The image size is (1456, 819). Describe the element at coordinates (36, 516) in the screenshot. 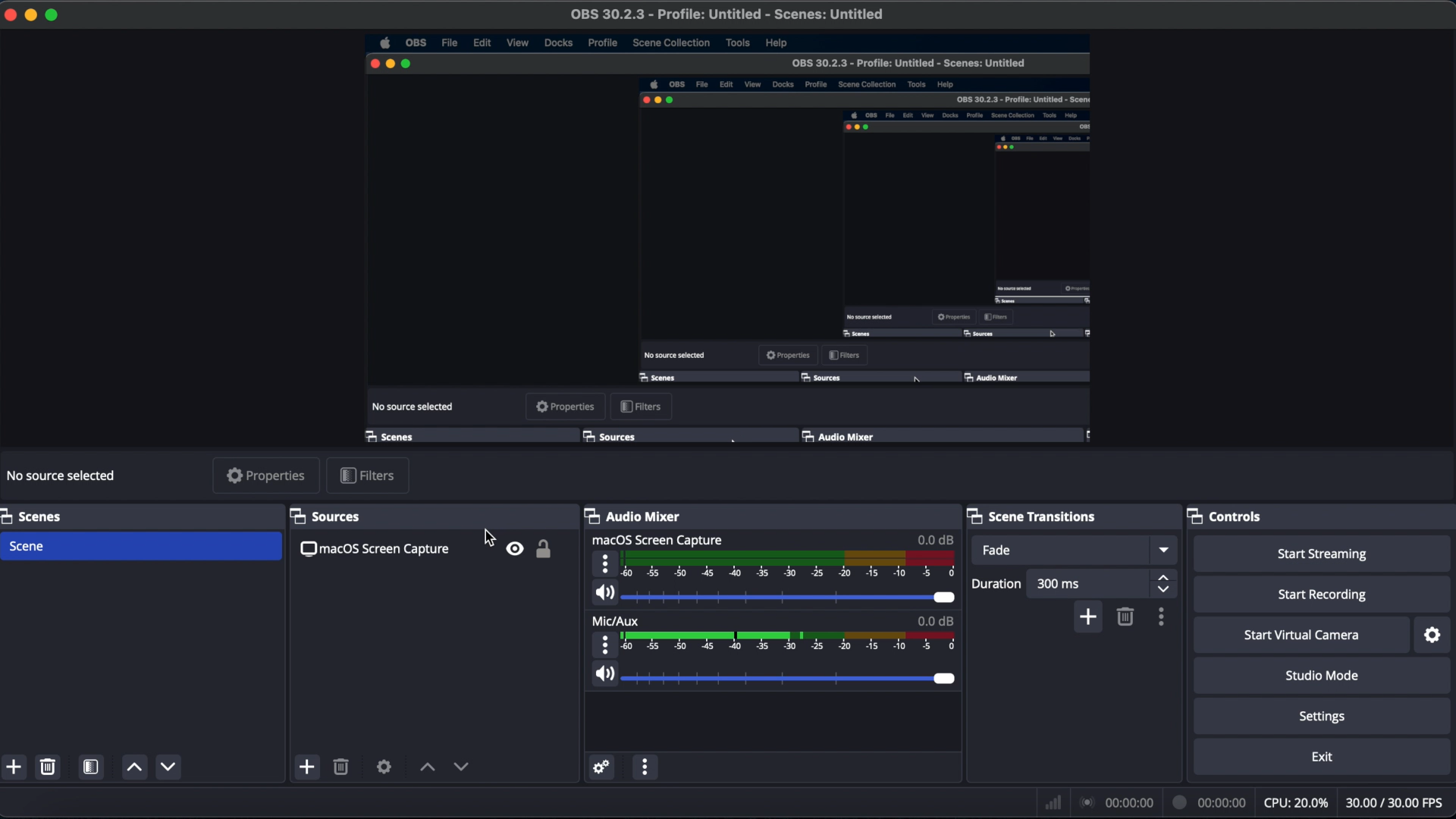

I see `scenes` at that location.